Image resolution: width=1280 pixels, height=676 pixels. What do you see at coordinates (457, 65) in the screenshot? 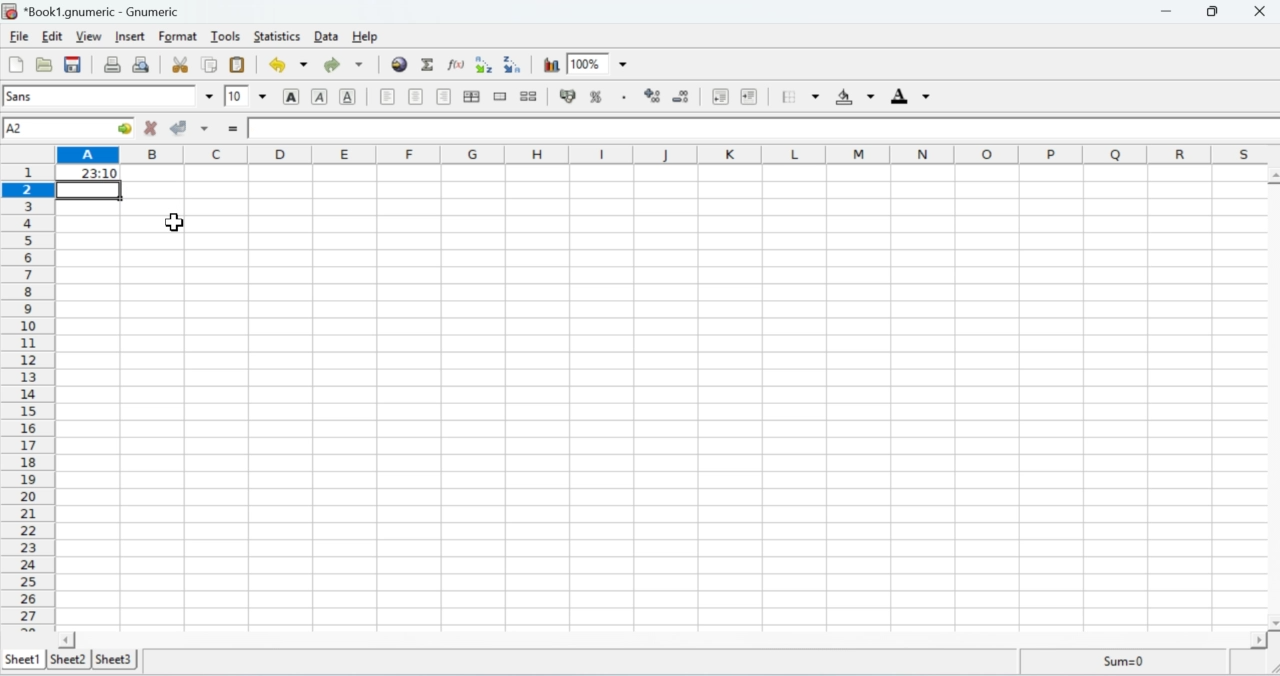
I see `Edit a function into the current cell` at bounding box center [457, 65].